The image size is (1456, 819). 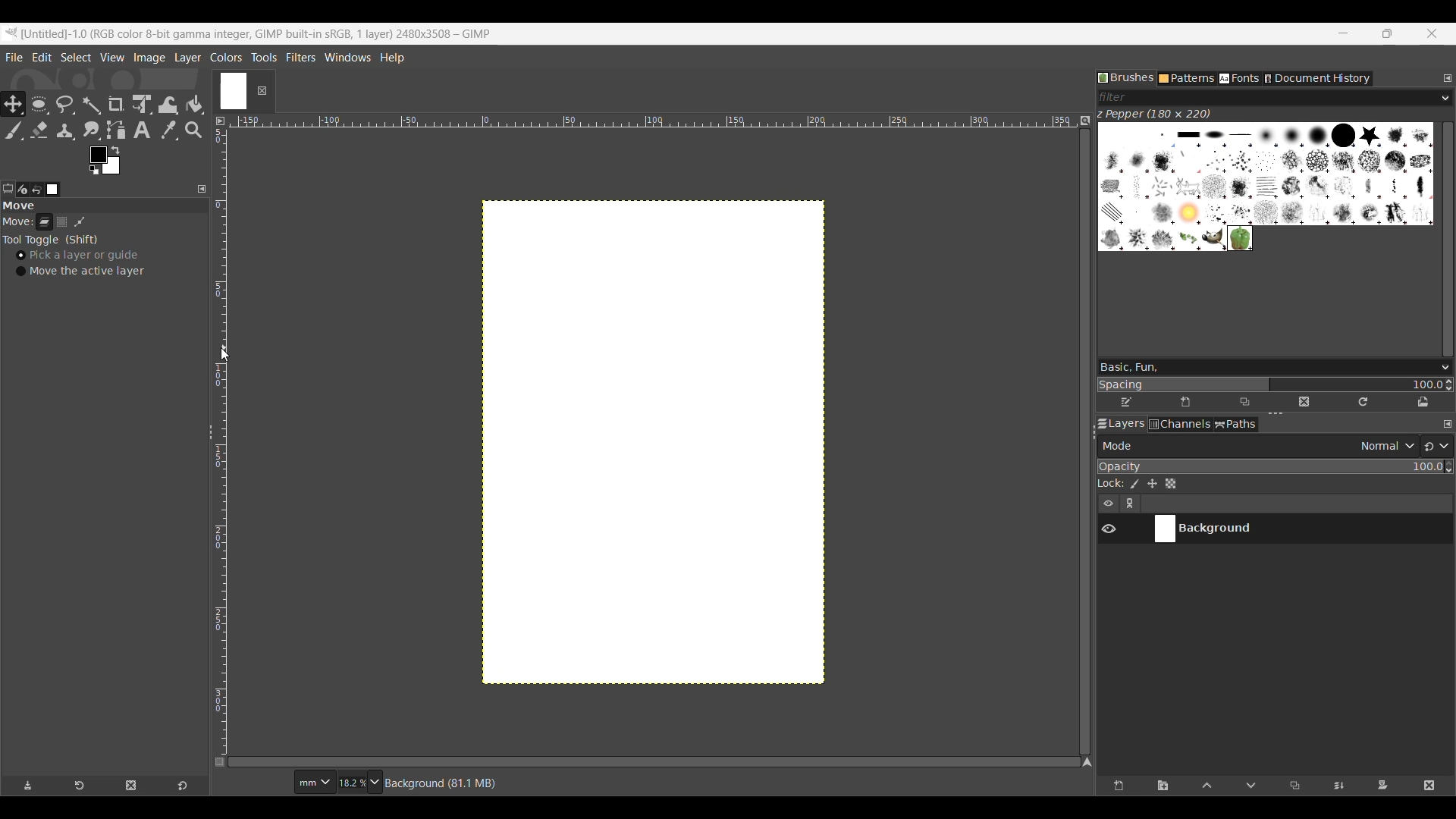 What do you see at coordinates (1262, 367) in the screenshot?
I see `Type in brush` at bounding box center [1262, 367].